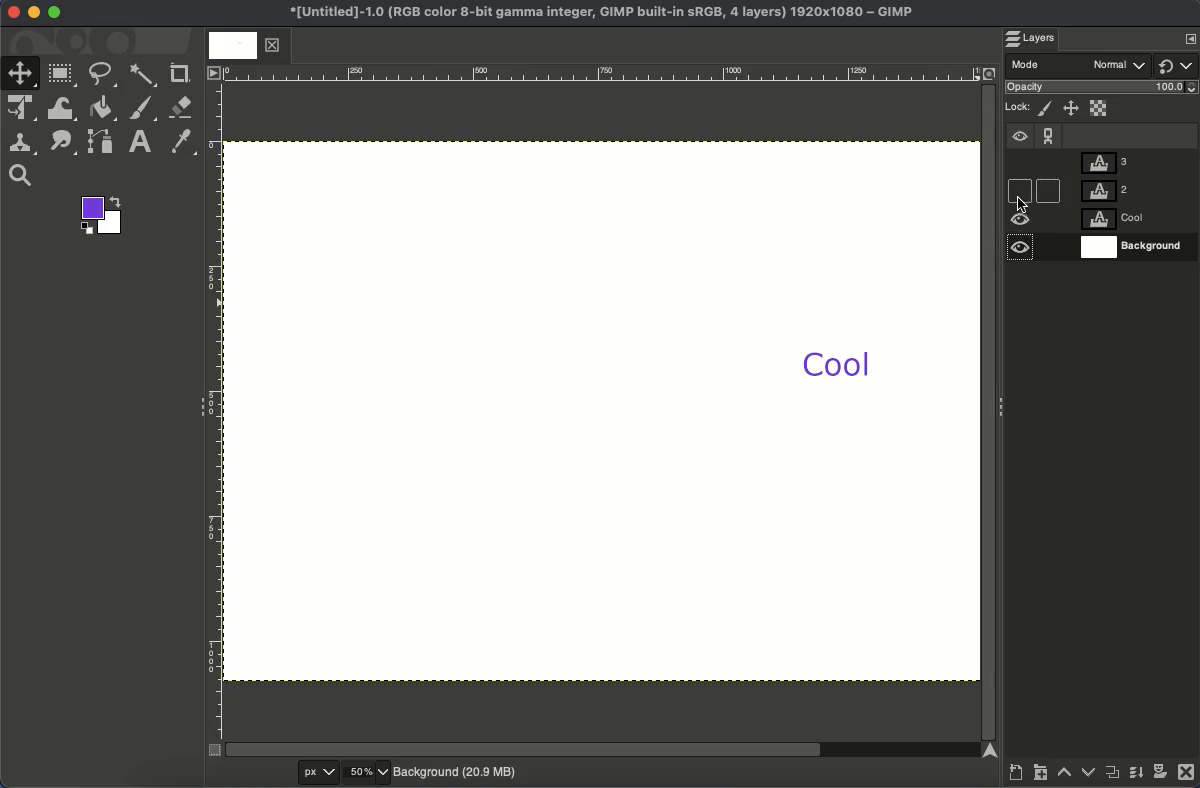 This screenshot has width=1200, height=788. Describe the element at coordinates (1049, 131) in the screenshot. I see `Chain` at that location.